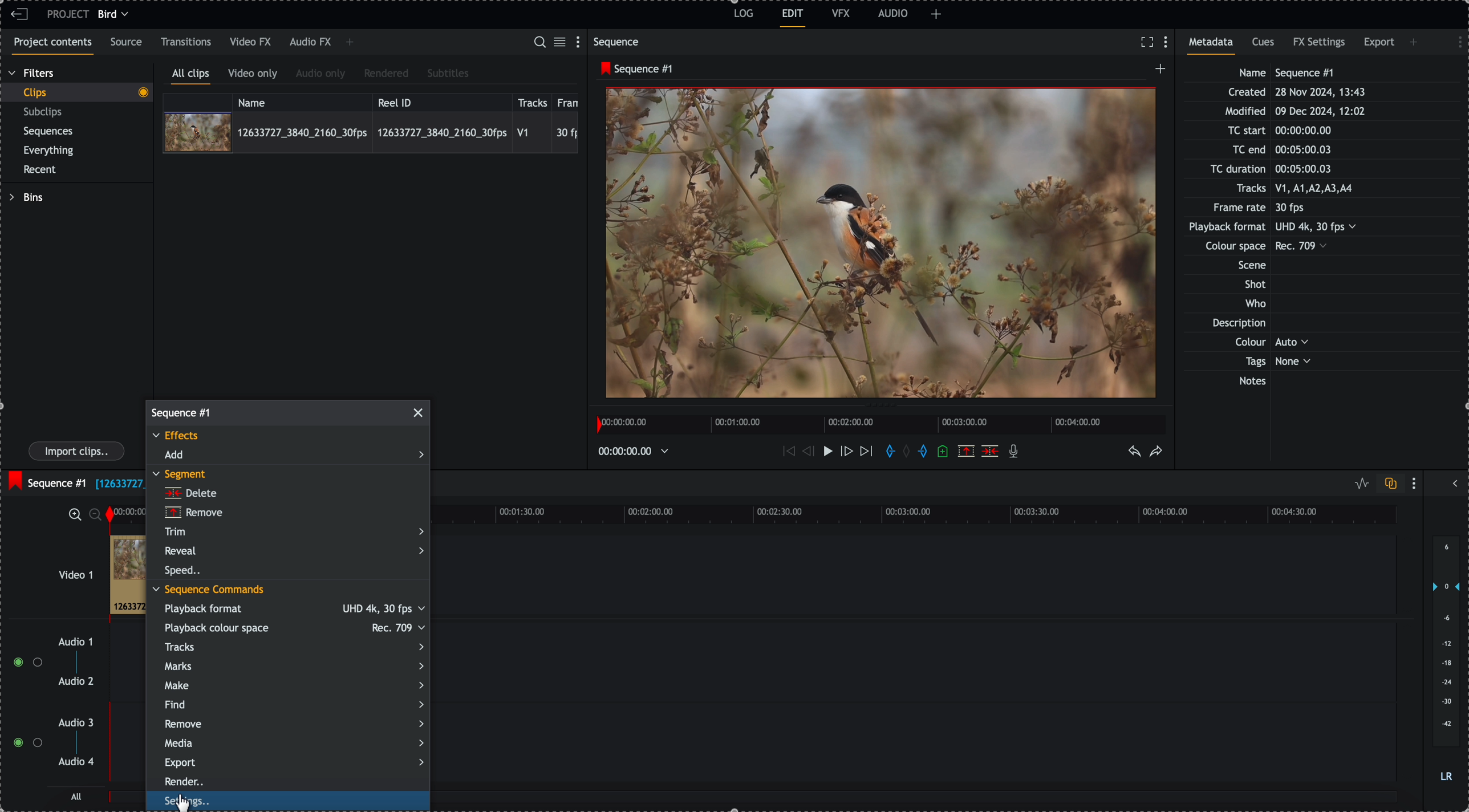  What do you see at coordinates (441, 100) in the screenshot?
I see `reel ID` at bounding box center [441, 100].